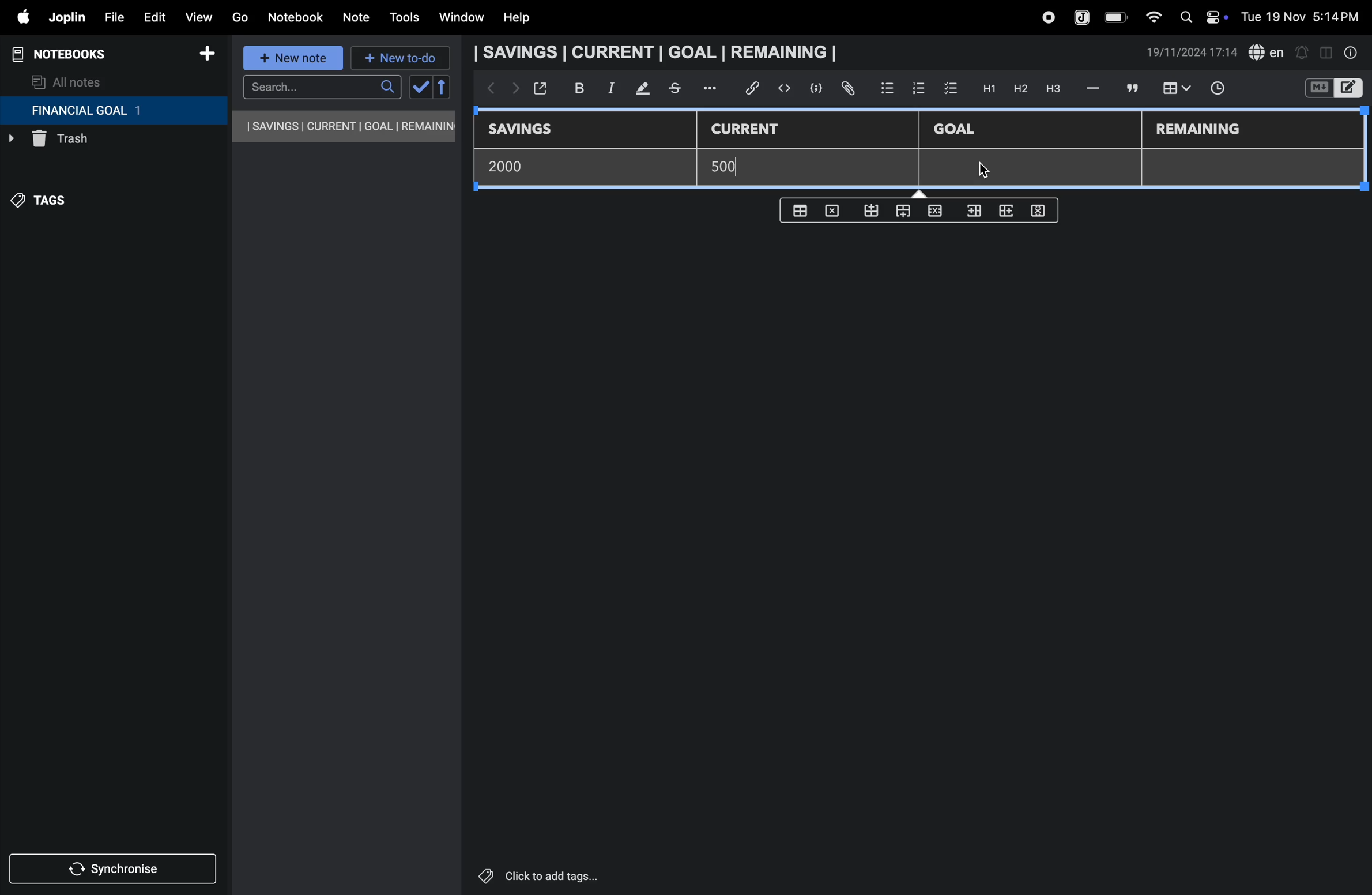  I want to click on click to add tags, so click(567, 875).